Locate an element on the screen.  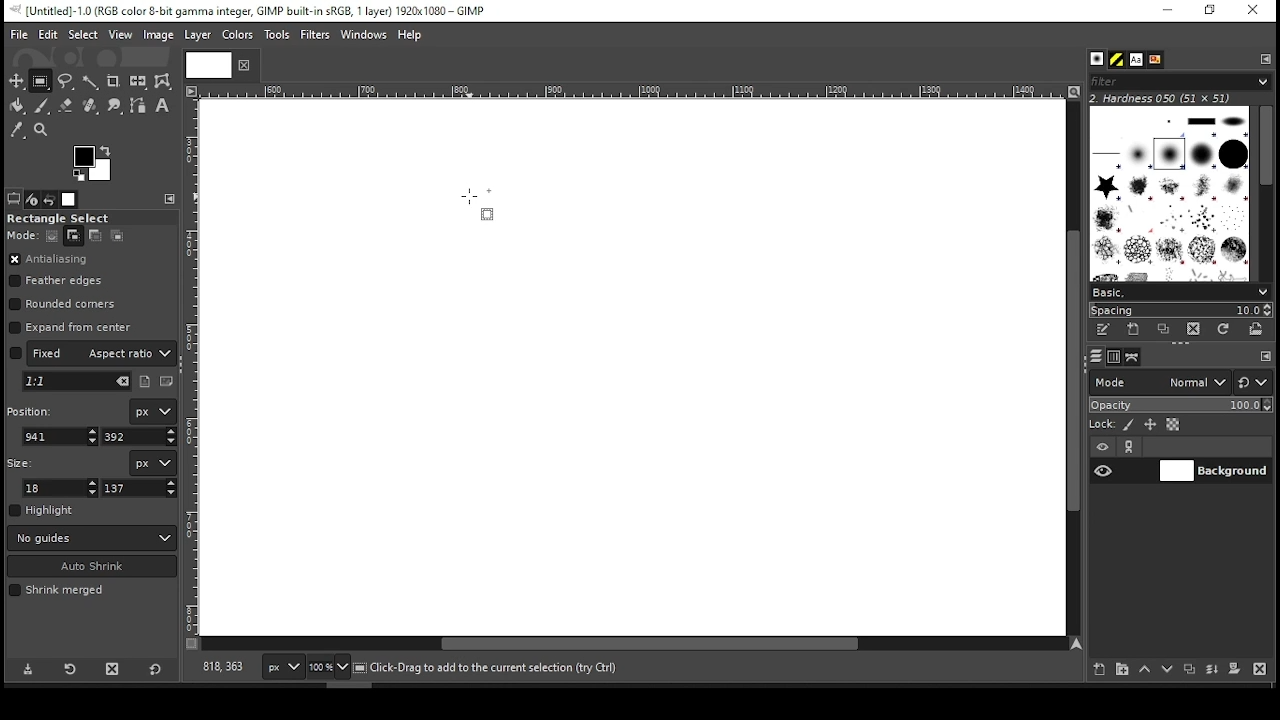
duplicate layer is located at coordinates (1192, 671).